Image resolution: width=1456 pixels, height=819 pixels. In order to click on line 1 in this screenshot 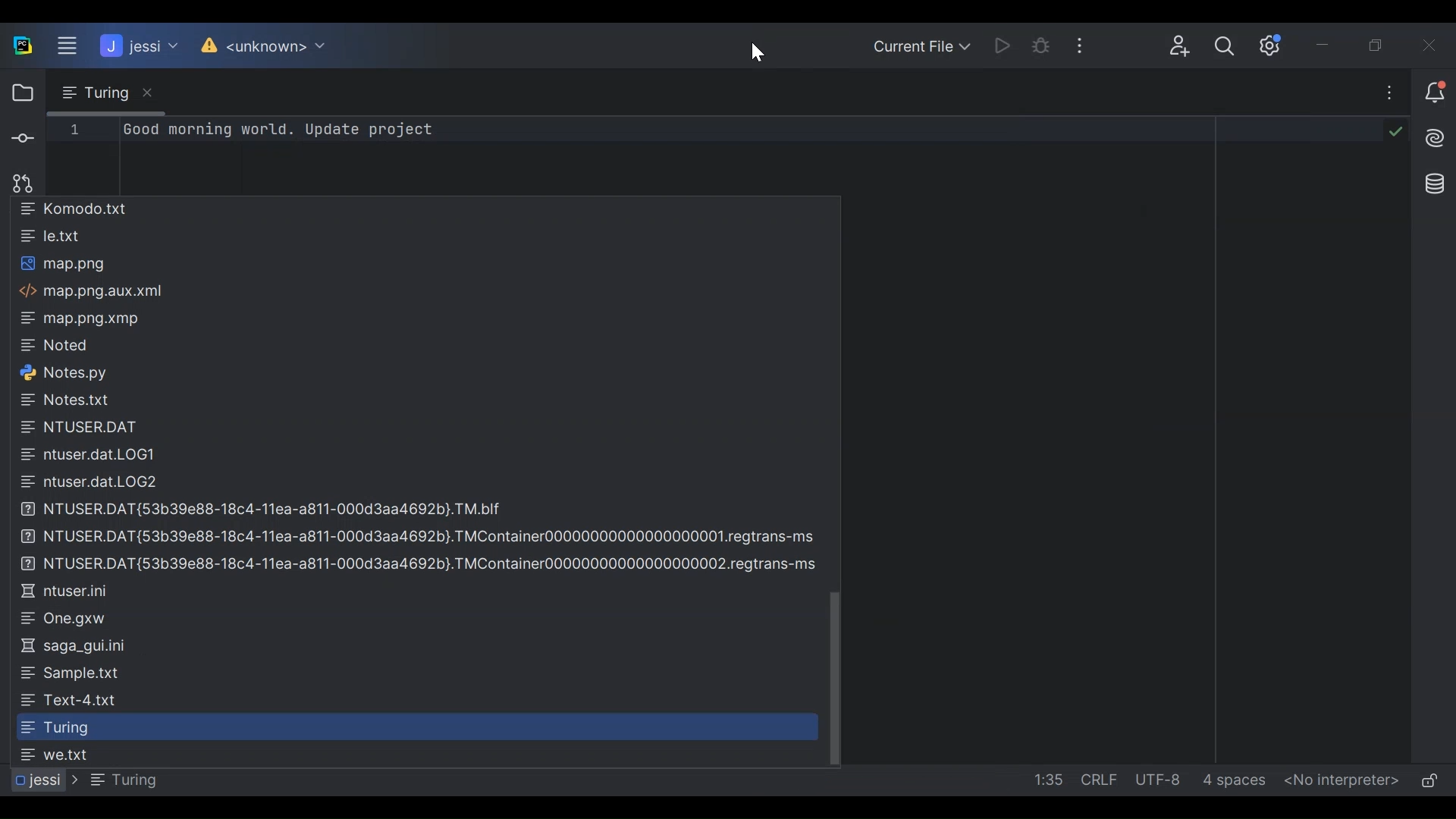, I will do `click(74, 129)`.